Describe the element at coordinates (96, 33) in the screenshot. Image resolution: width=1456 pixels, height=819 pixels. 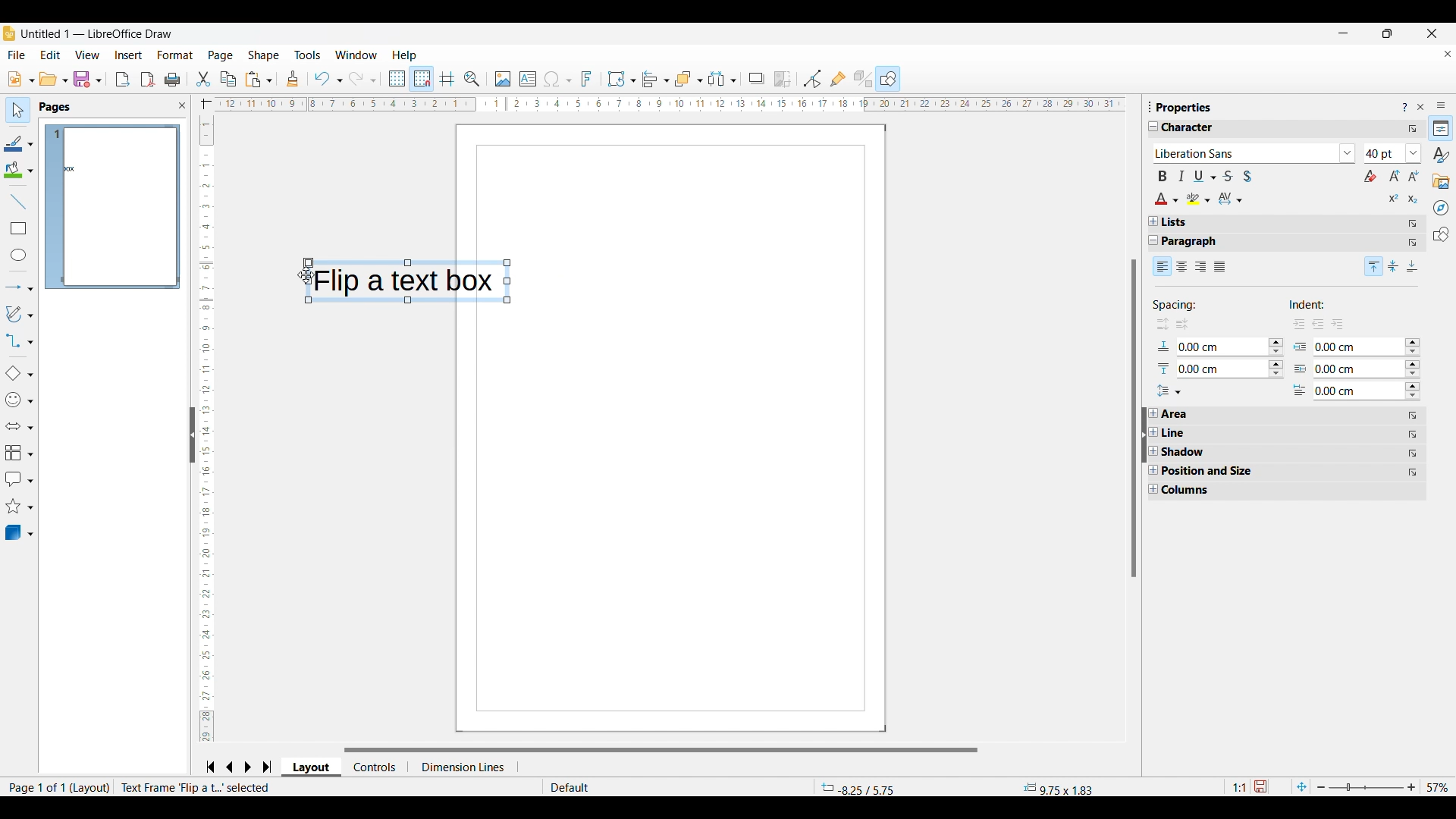
I see `Untitled 1 - Libreoffice draw` at that location.